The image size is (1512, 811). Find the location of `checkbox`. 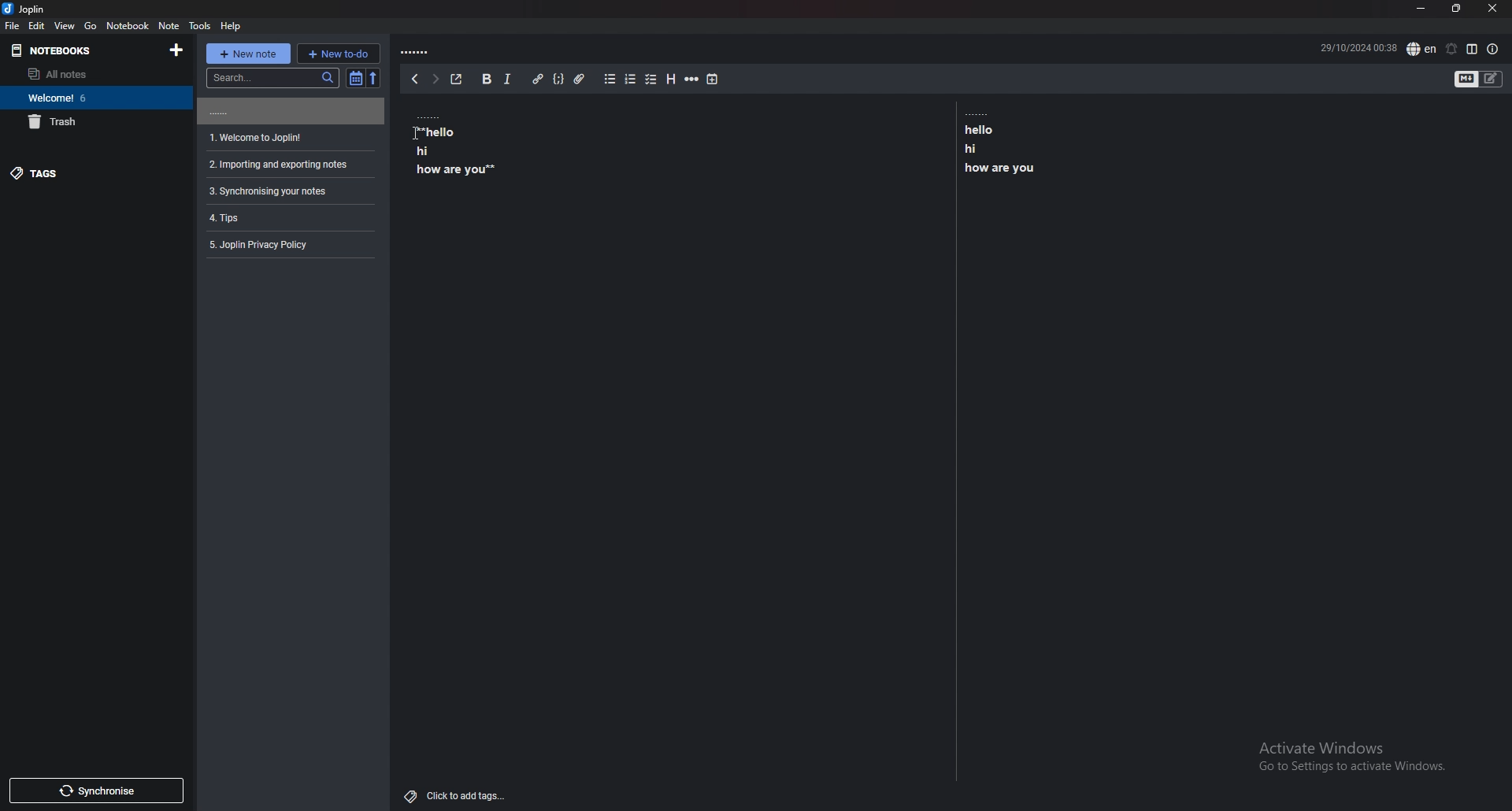

checkbox is located at coordinates (652, 80).